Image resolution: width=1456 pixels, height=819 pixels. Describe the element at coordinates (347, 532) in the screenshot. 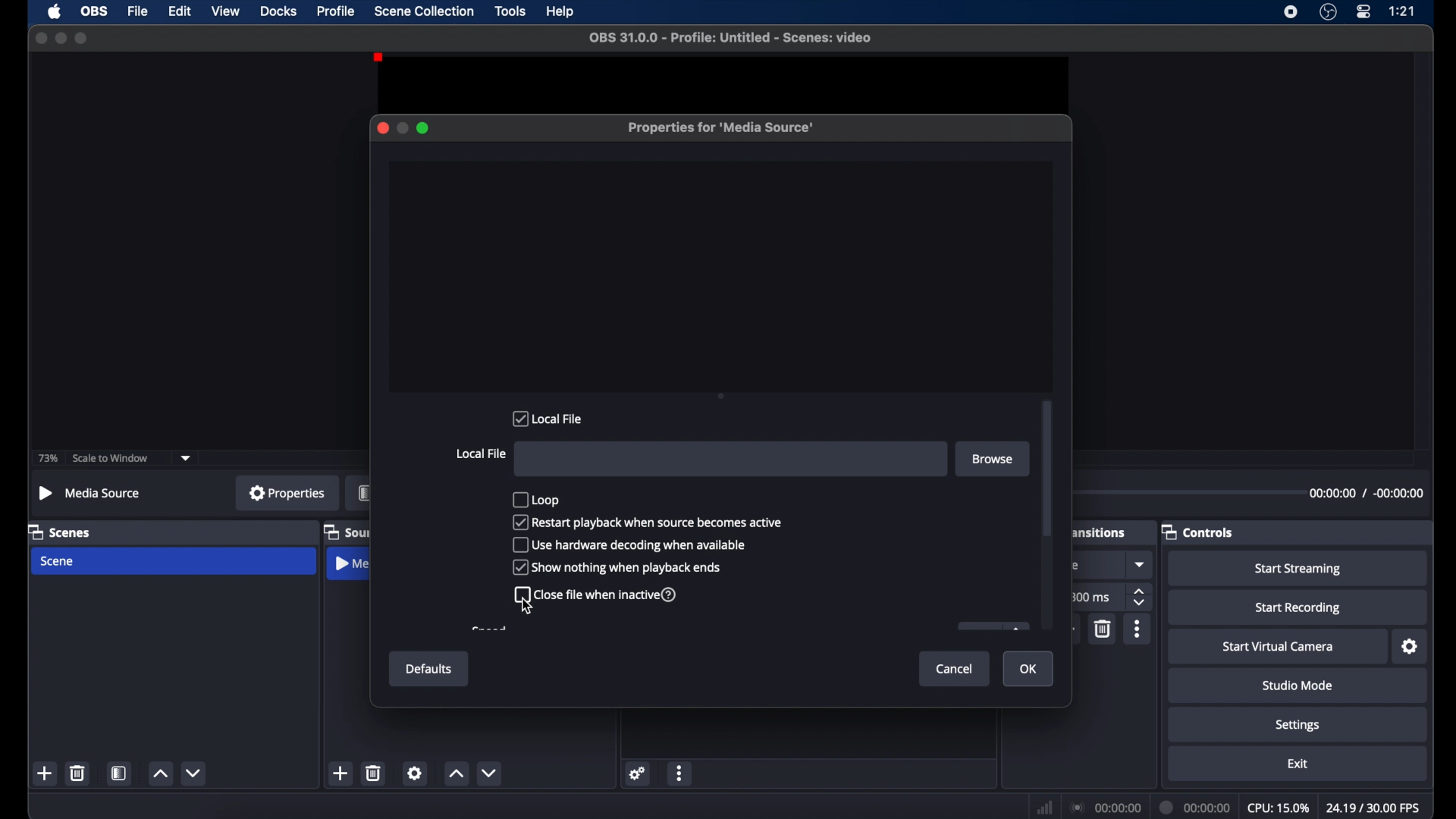

I see `sources` at that location.